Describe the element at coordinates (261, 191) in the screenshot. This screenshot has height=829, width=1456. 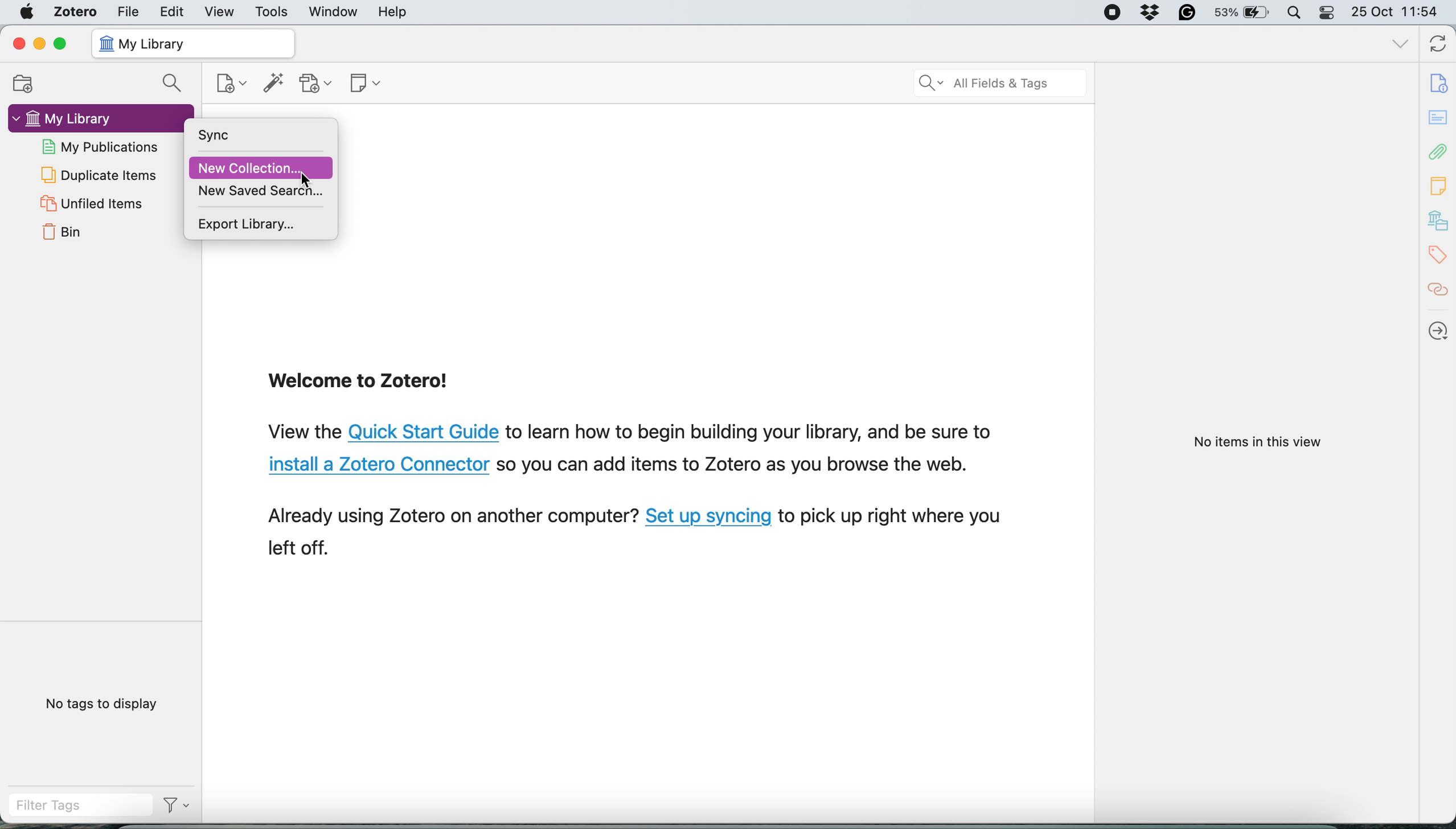
I see `New Saved Search...` at that location.